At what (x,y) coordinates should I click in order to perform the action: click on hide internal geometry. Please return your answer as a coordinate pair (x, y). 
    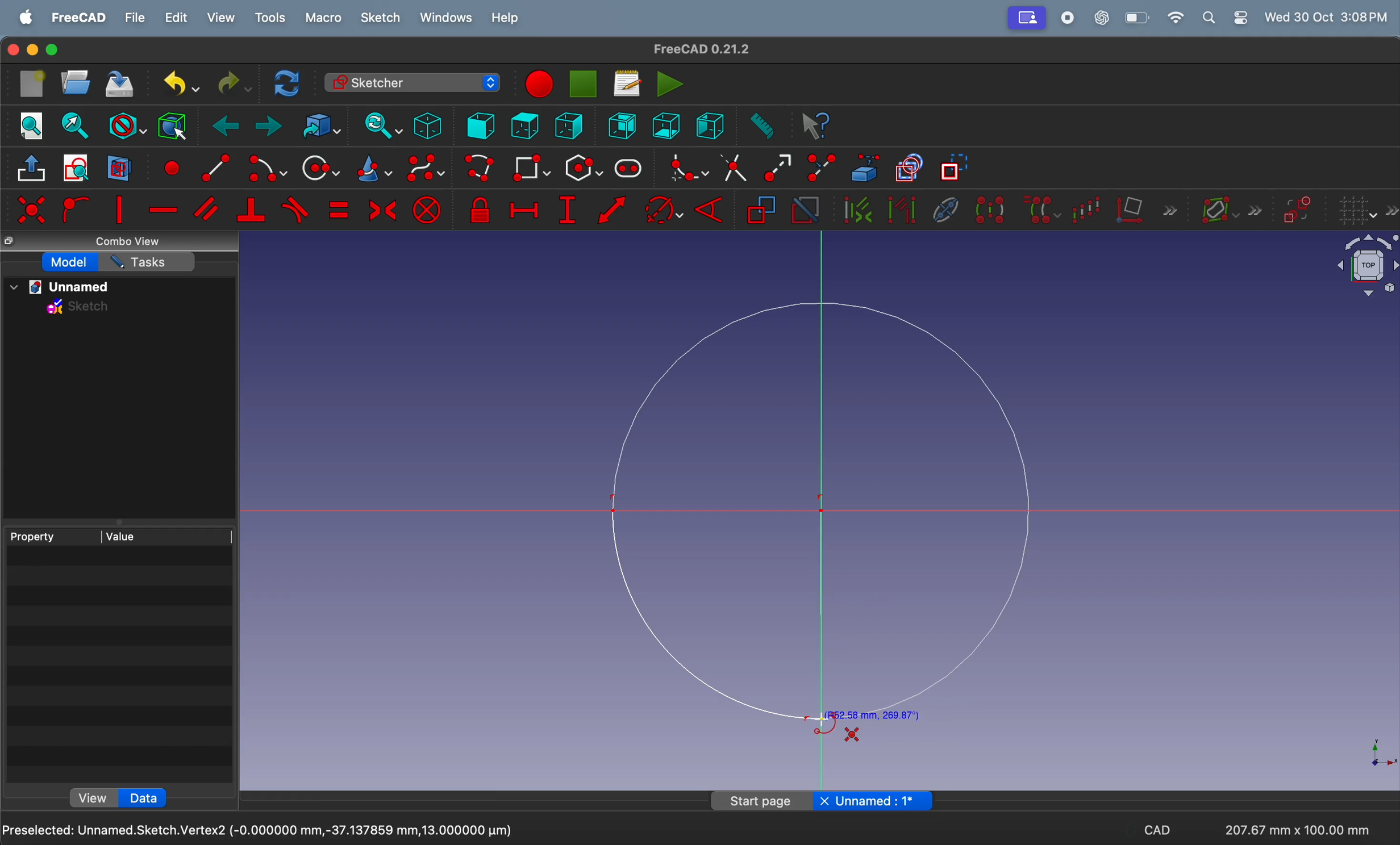
    Looking at the image, I should click on (943, 208).